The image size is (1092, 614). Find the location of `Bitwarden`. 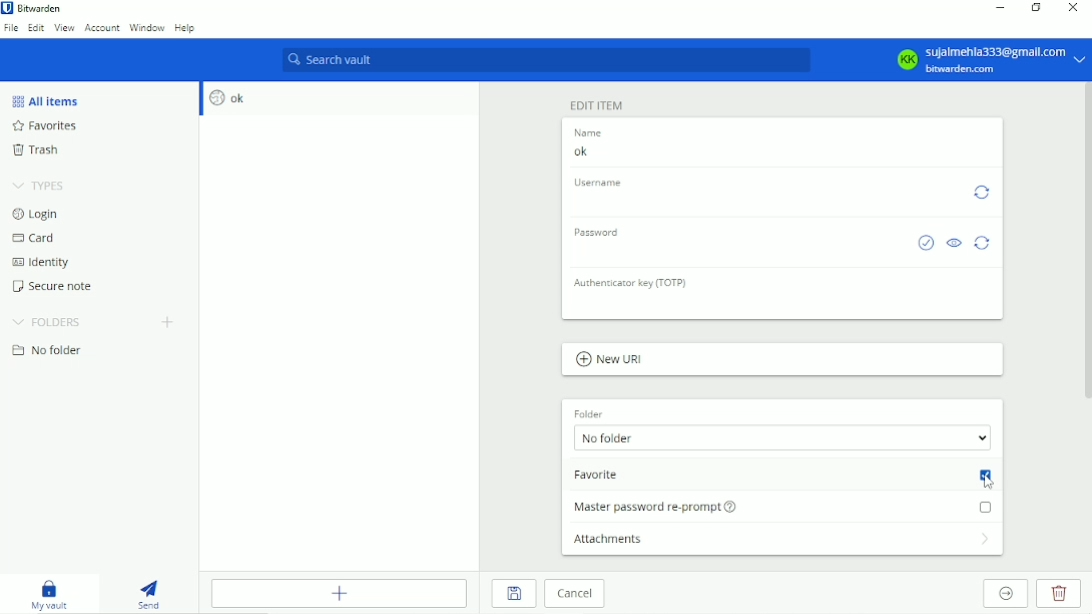

Bitwarden is located at coordinates (40, 8).